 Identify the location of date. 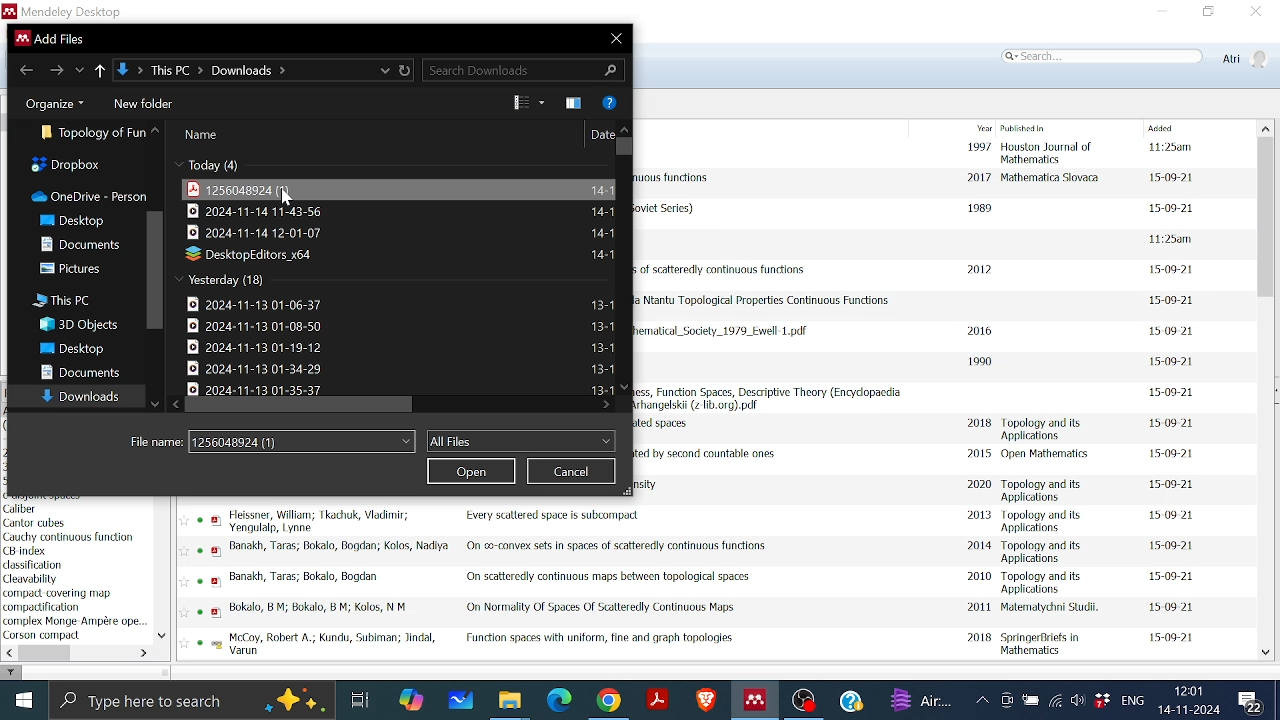
(1170, 240).